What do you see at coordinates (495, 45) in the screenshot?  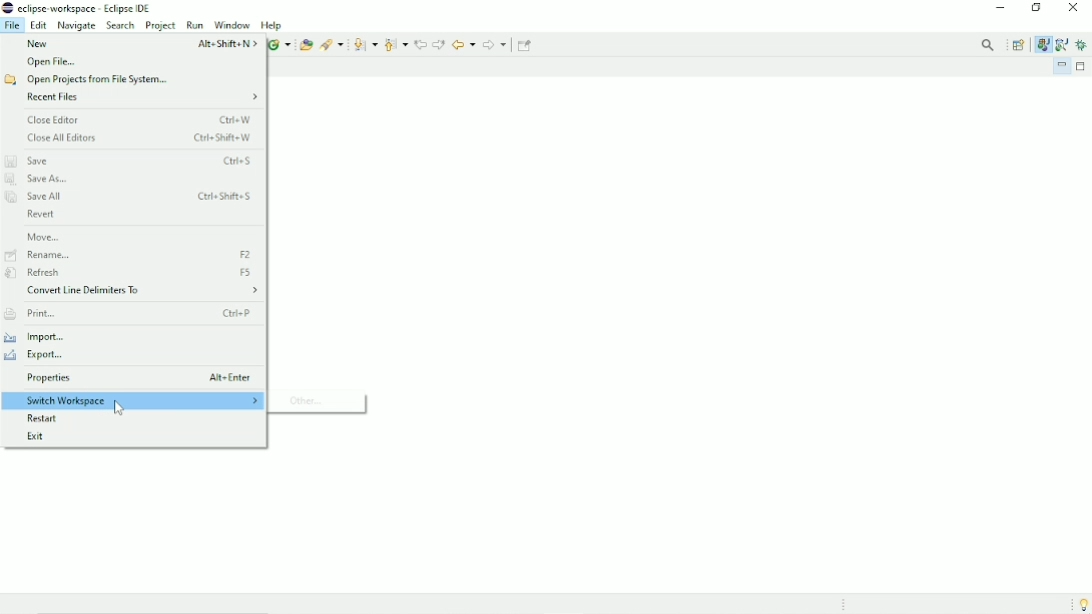 I see `Forward` at bounding box center [495, 45].